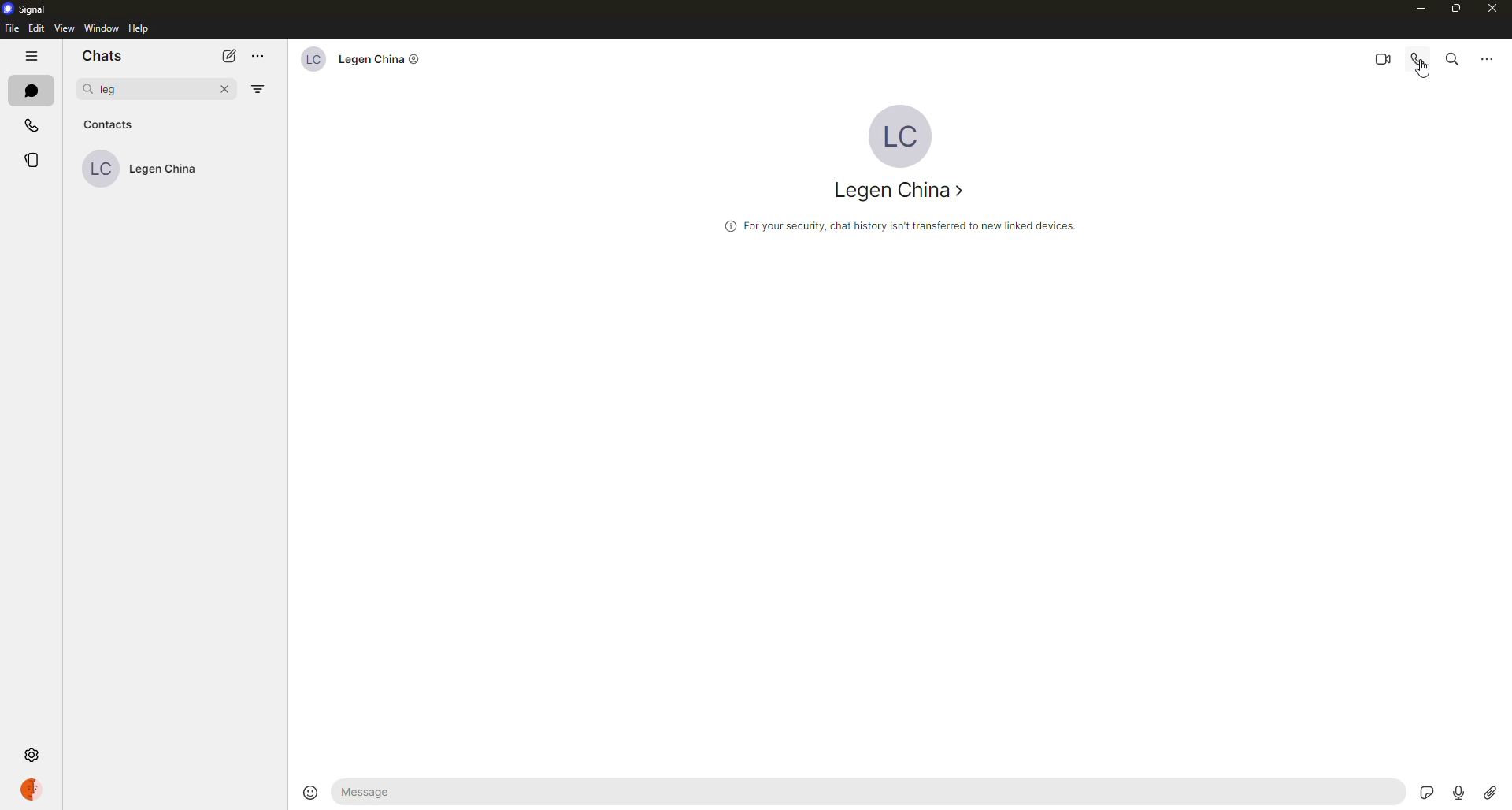 The height and width of the screenshot is (810, 1512). I want to click on help, so click(141, 28).